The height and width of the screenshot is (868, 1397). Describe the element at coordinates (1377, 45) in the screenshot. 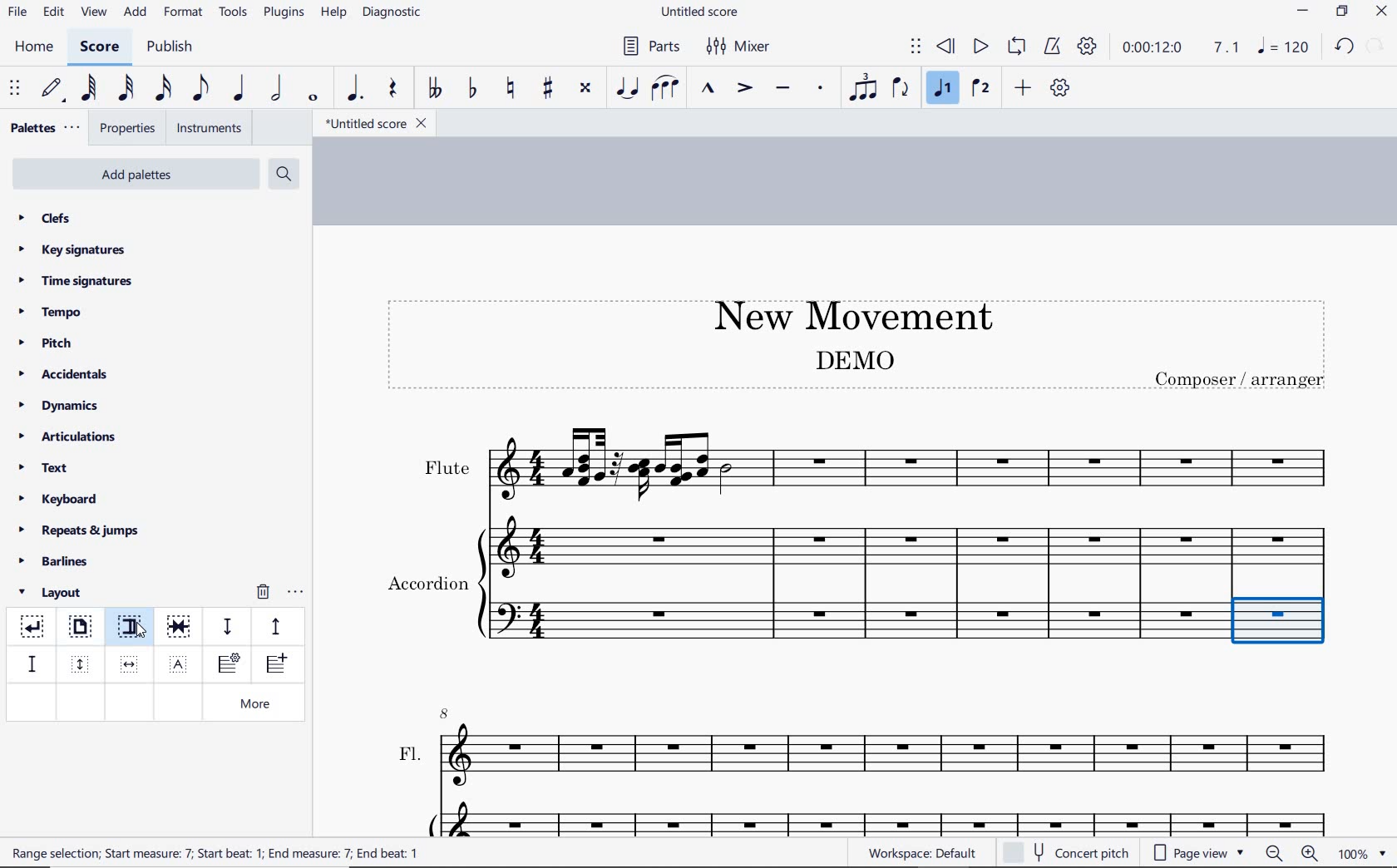

I see `redo` at that location.